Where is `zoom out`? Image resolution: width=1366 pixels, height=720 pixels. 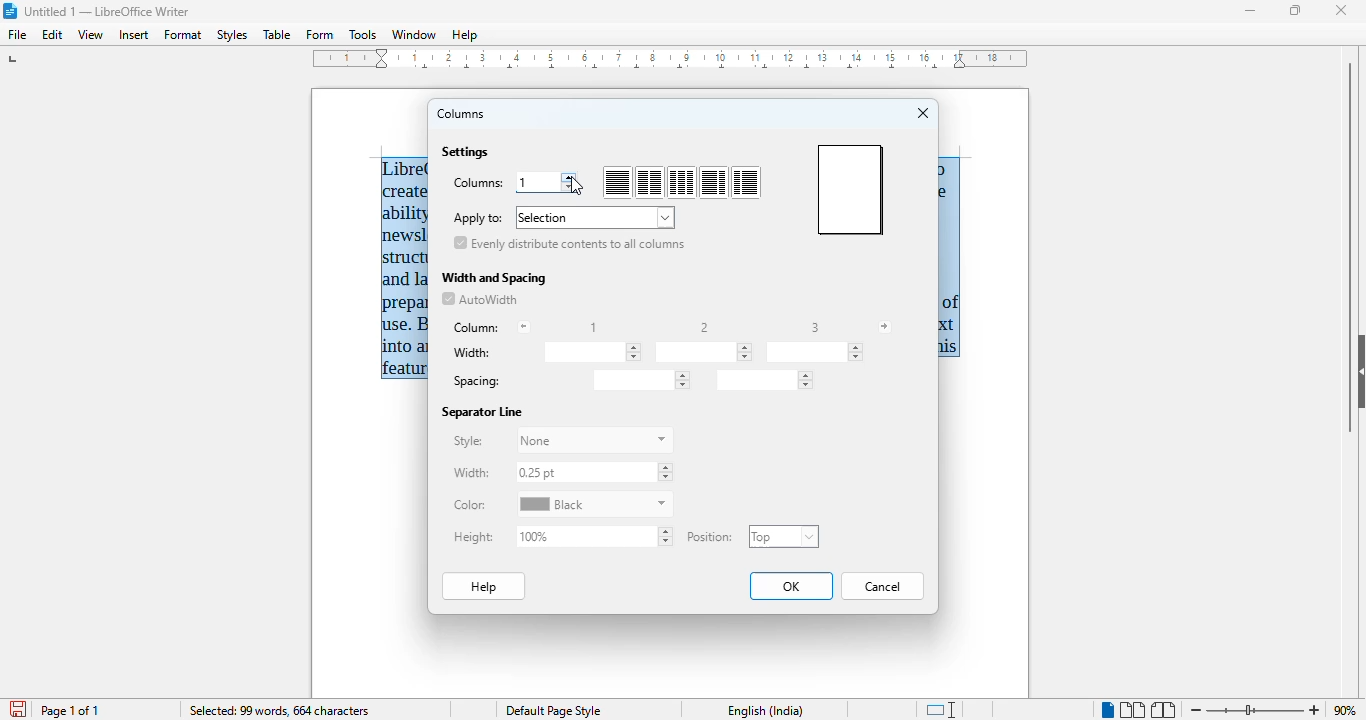 zoom out is located at coordinates (1197, 709).